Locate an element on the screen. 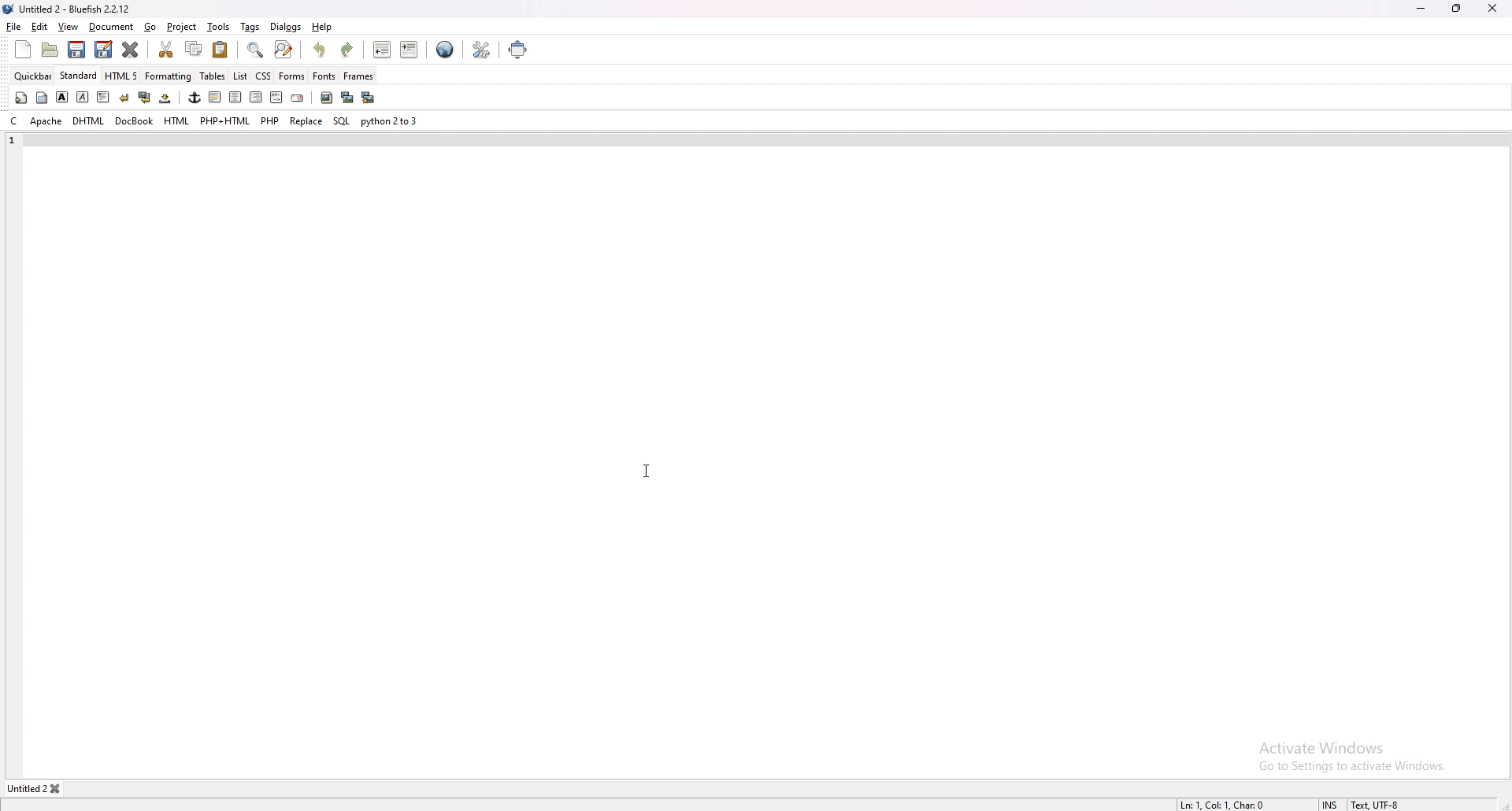 This screenshot has width=1512, height=811. frames is located at coordinates (359, 75).